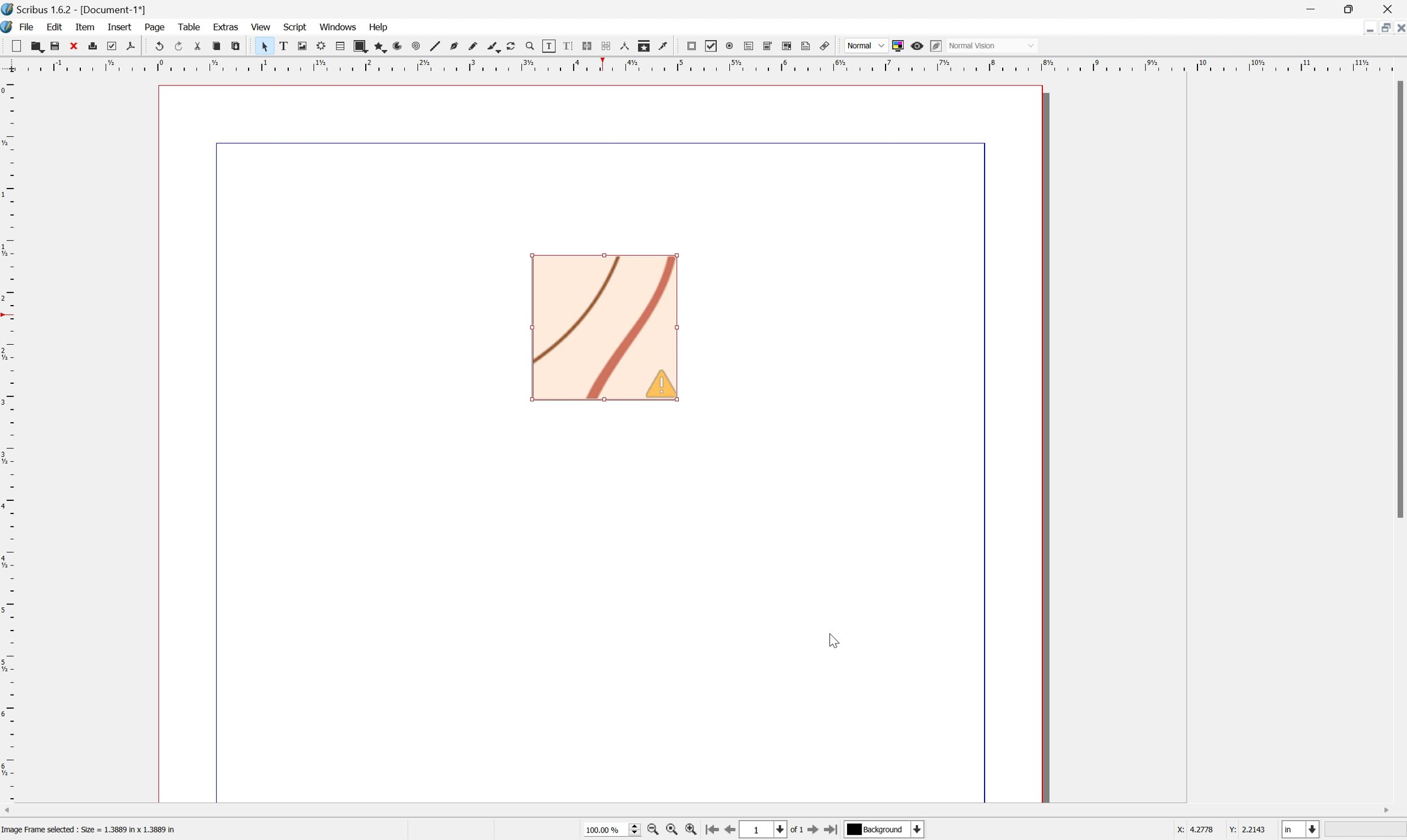 The width and height of the screenshot is (1407, 840). What do you see at coordinates (838, 642) in the screenshot?
I see `Cursor` at bounding box center [838, 642].